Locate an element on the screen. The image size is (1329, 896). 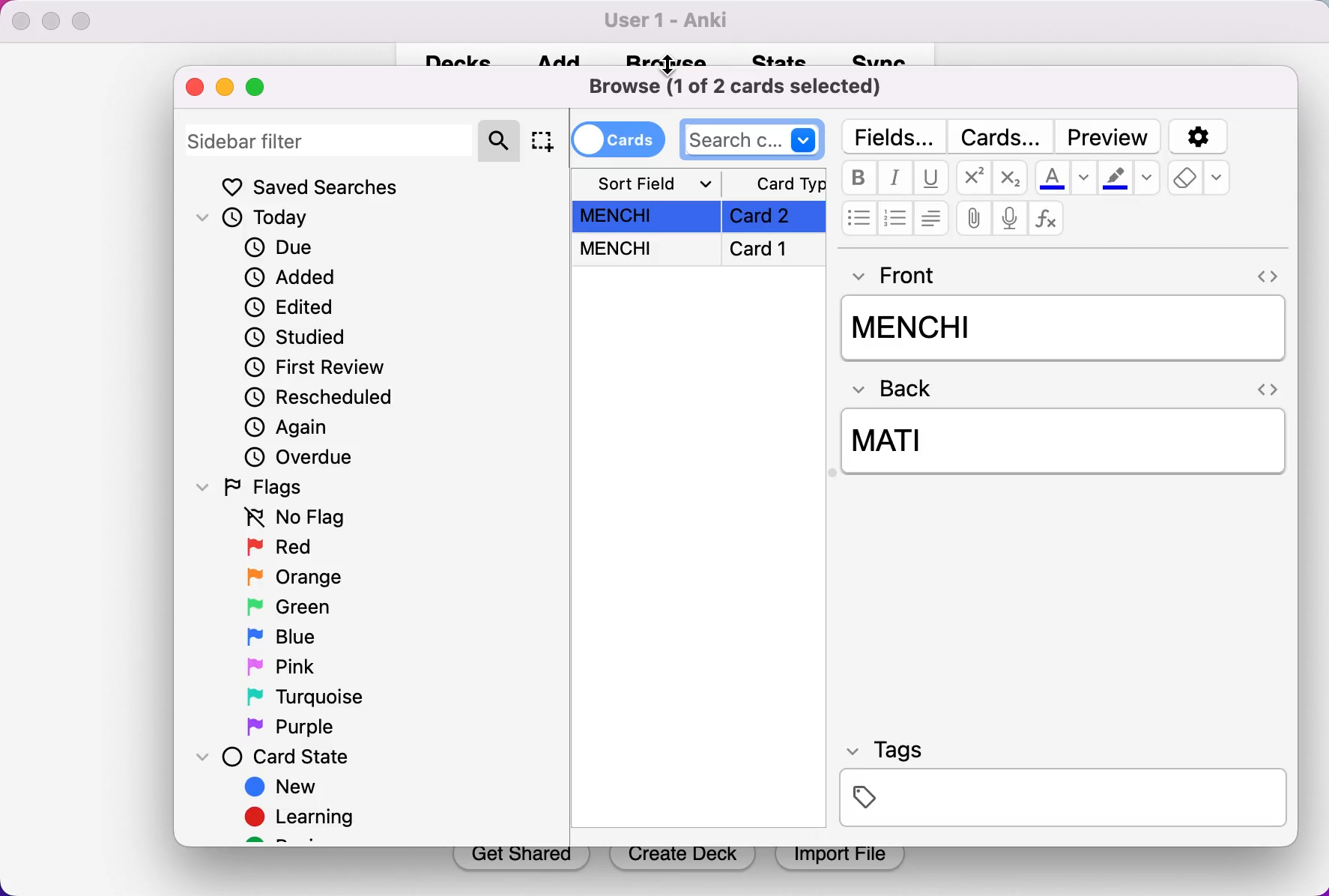
subscript is located at coordinates (1011, 177).